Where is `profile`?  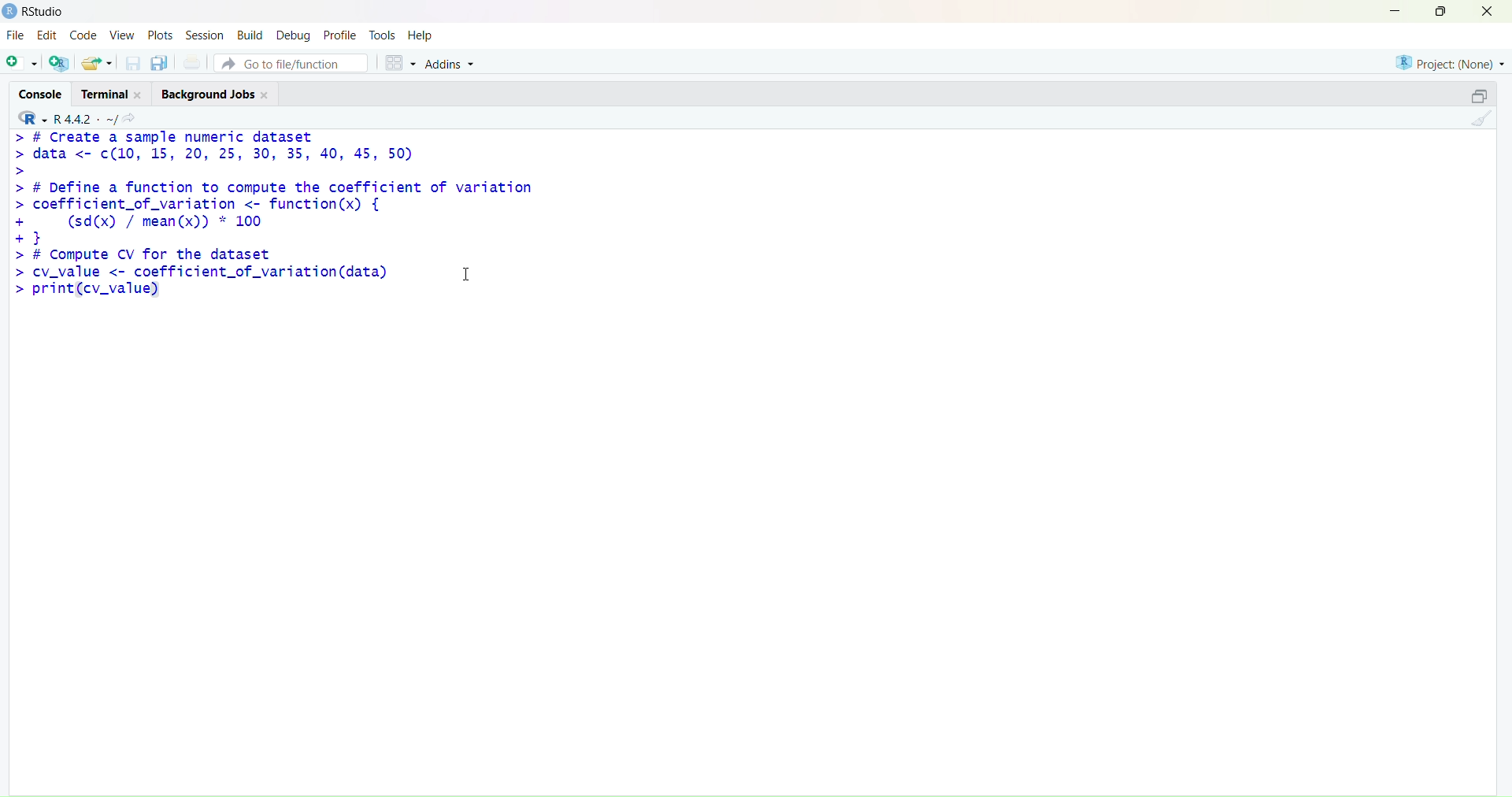 profile is located at coordinates (340, 36).